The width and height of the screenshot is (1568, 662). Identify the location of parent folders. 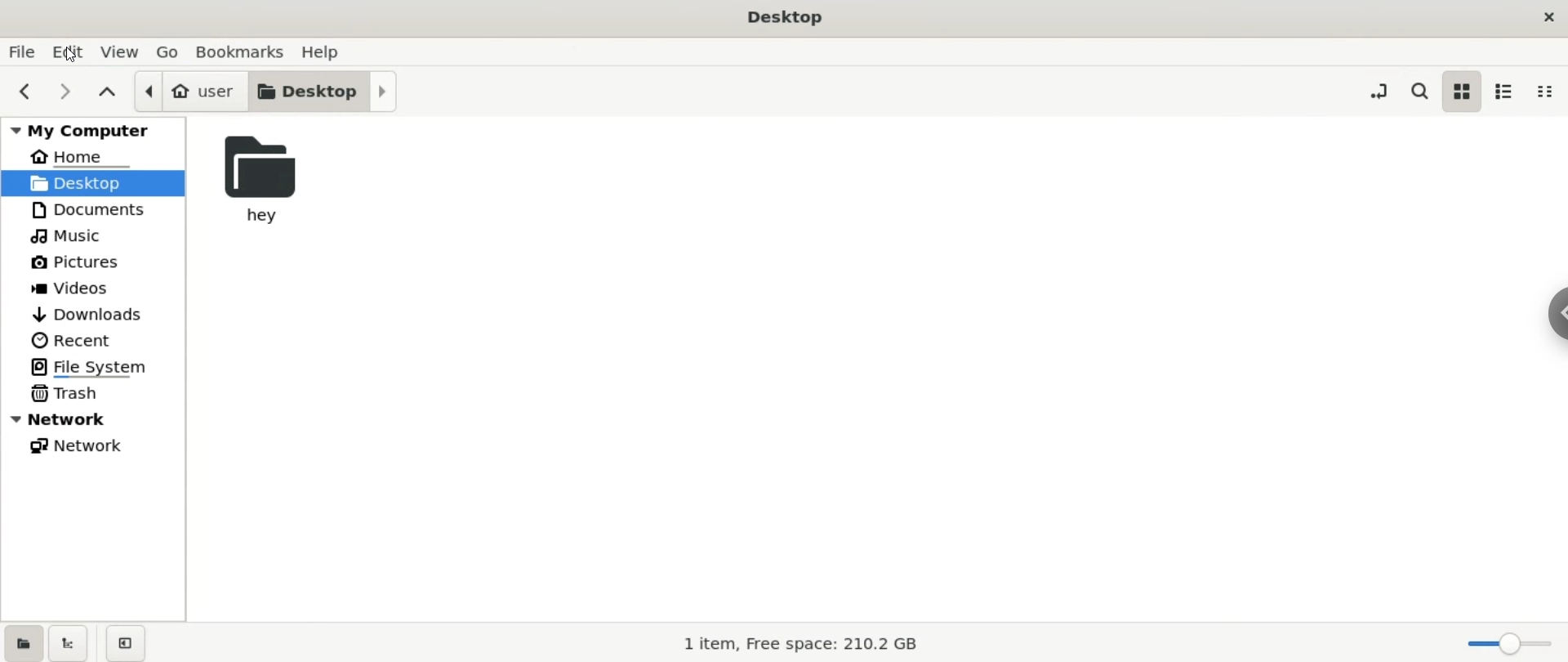
(109, 95).